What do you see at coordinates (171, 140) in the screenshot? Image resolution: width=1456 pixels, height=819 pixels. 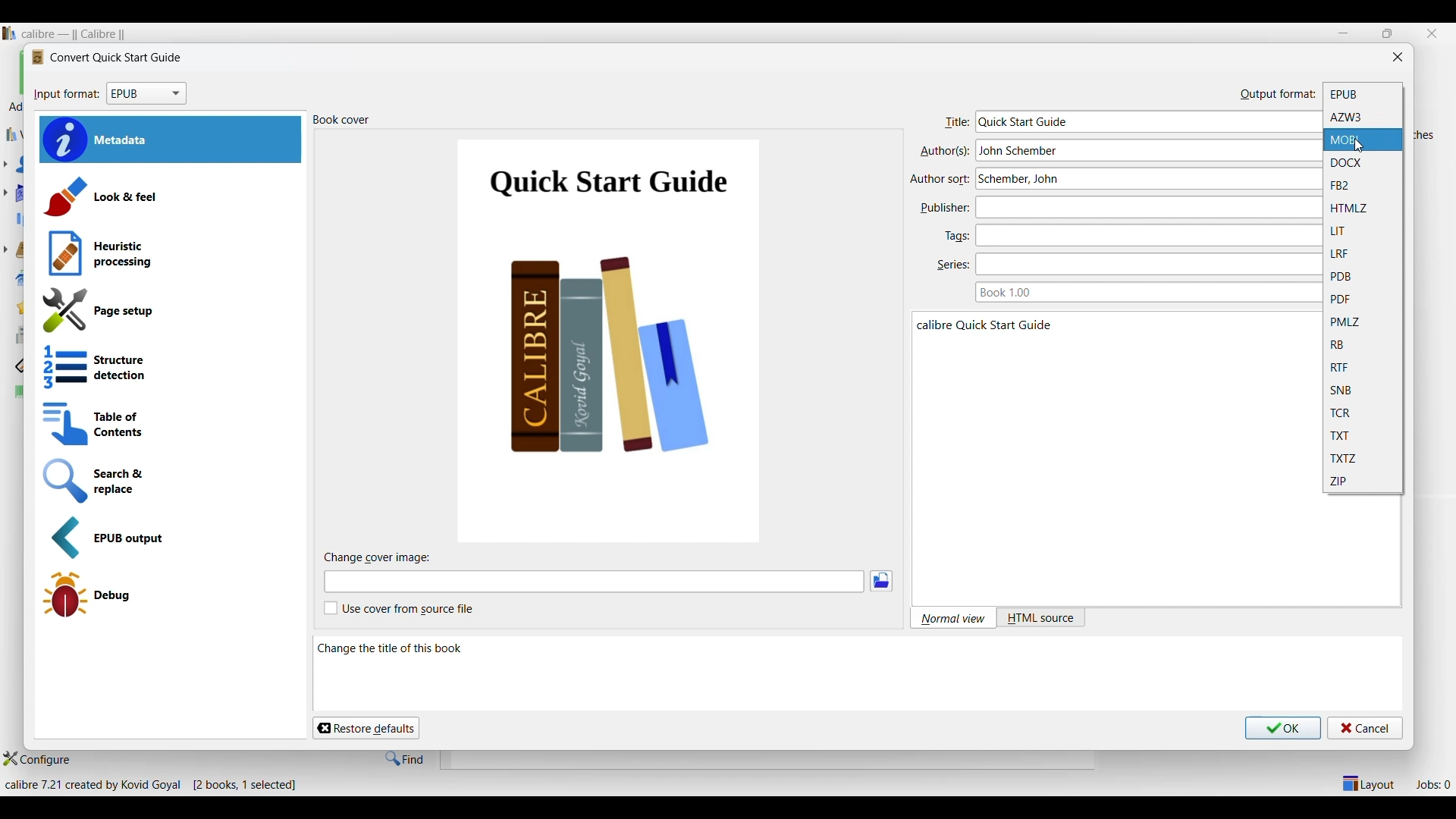 I see `Metadata` at bounding box center [171, 140].